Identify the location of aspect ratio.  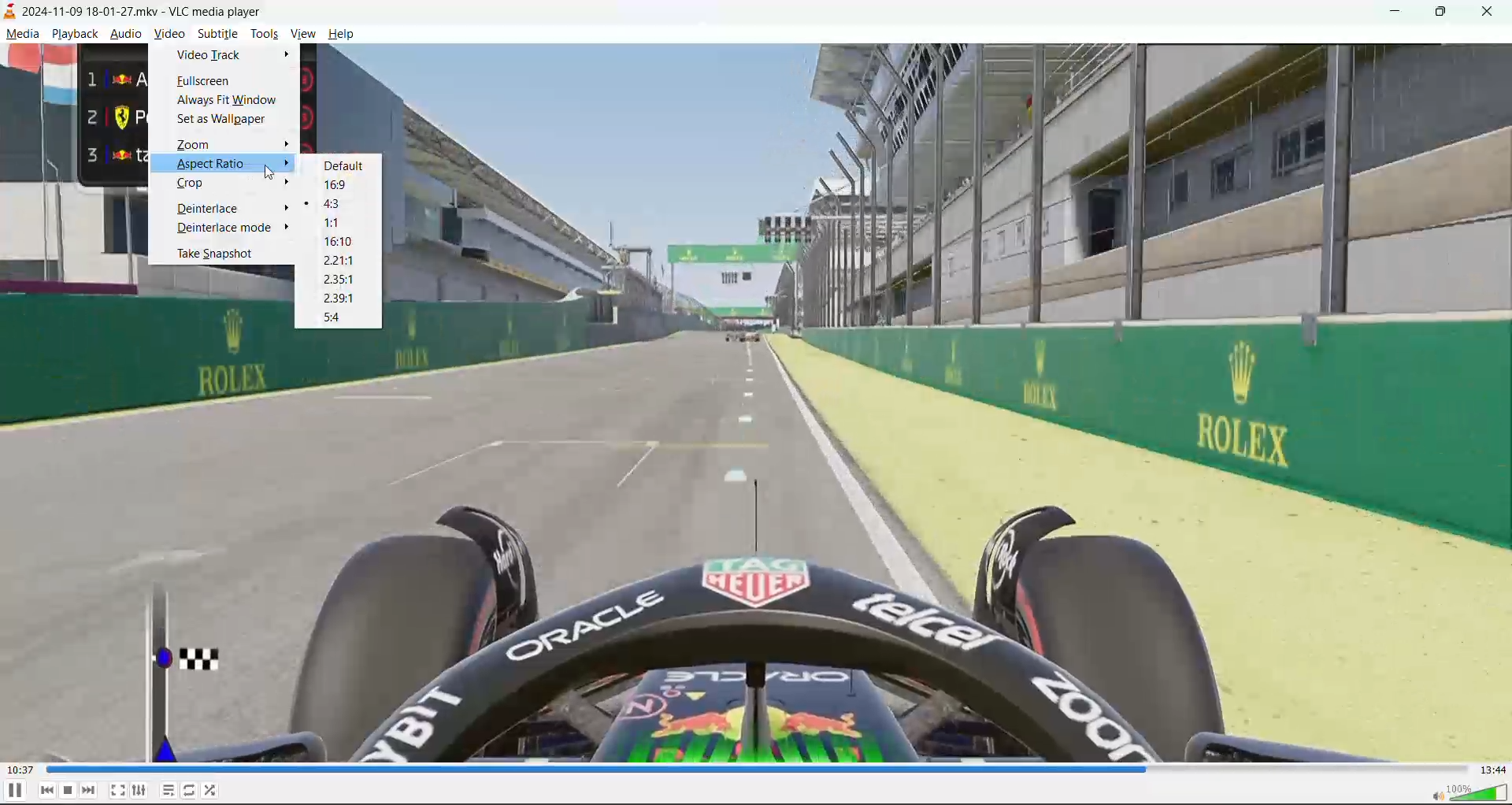
(235, 166).